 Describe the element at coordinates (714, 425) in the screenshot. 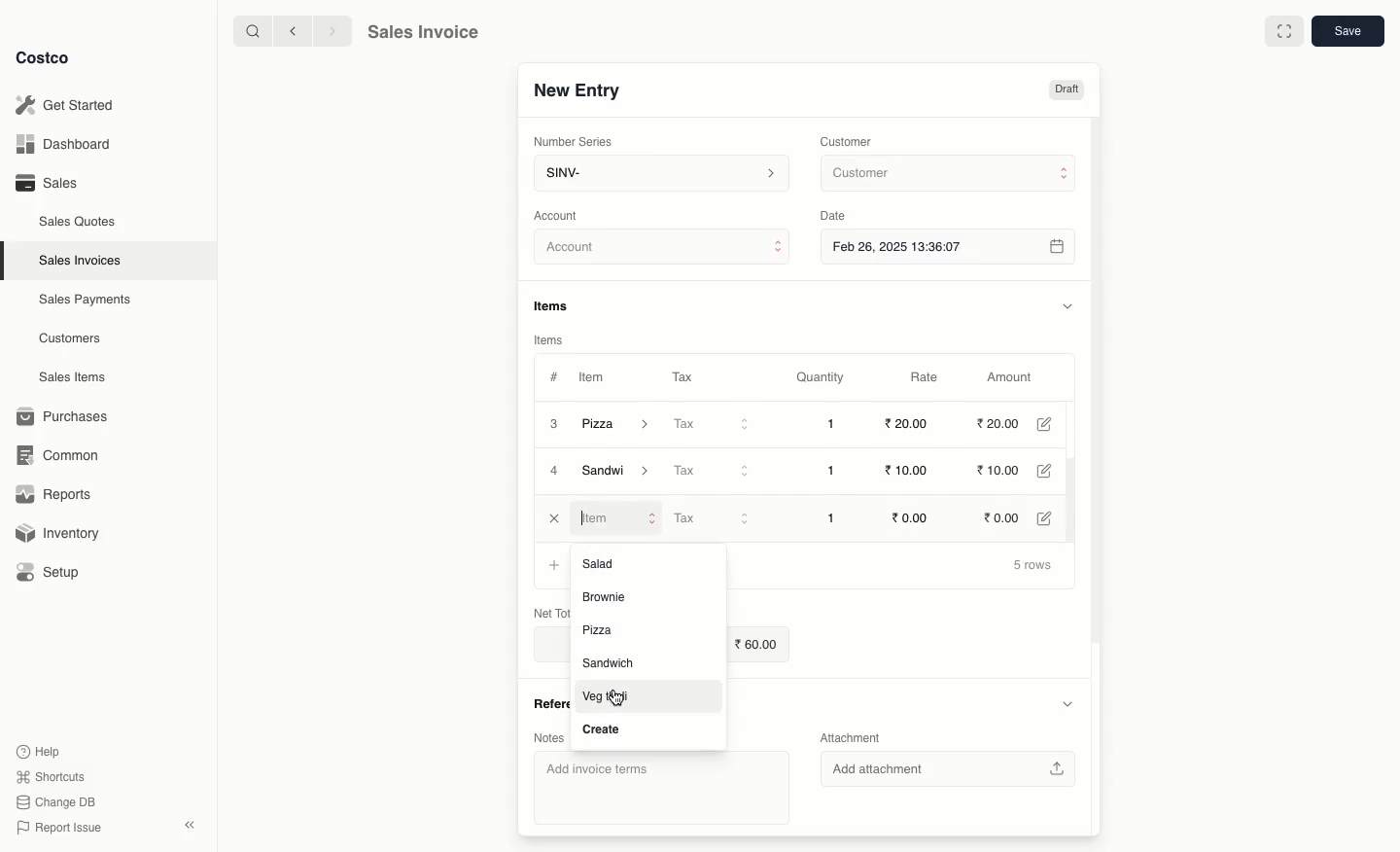

I see `Tax` at that location.